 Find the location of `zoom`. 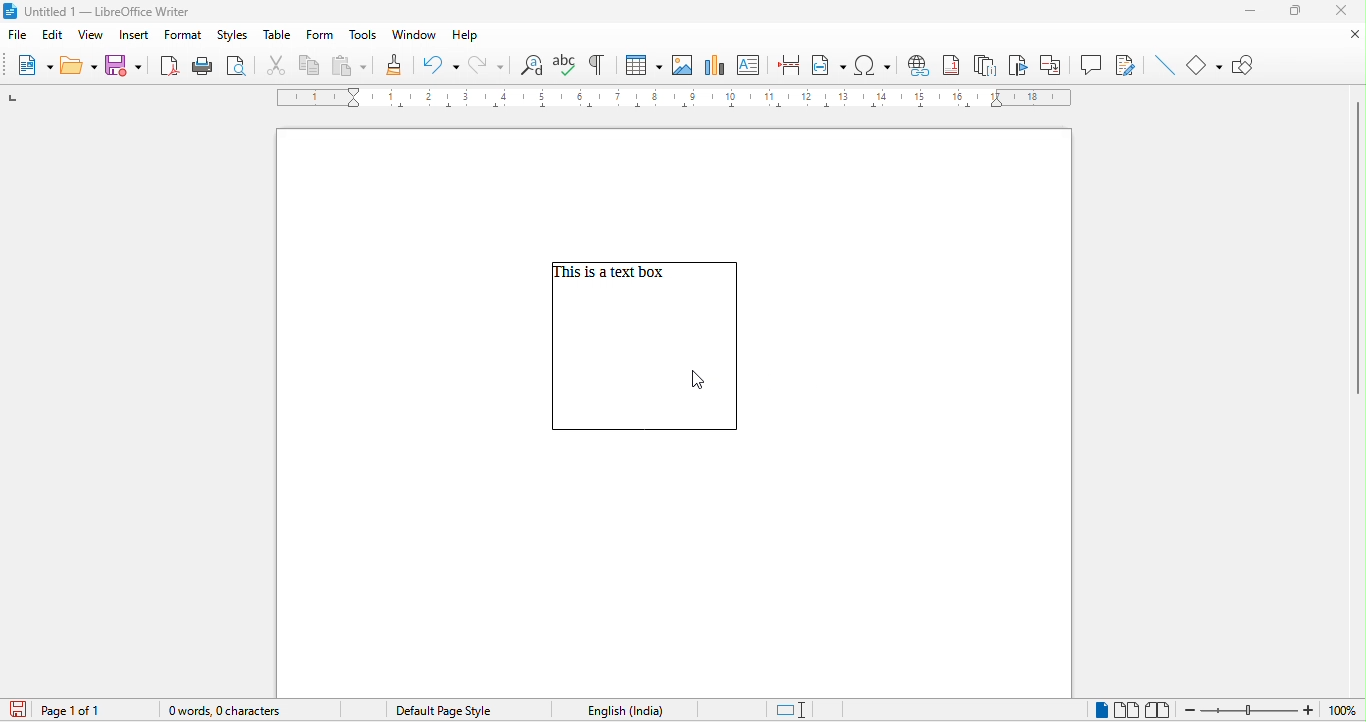

zoom is located at coordinates (1272, 709).